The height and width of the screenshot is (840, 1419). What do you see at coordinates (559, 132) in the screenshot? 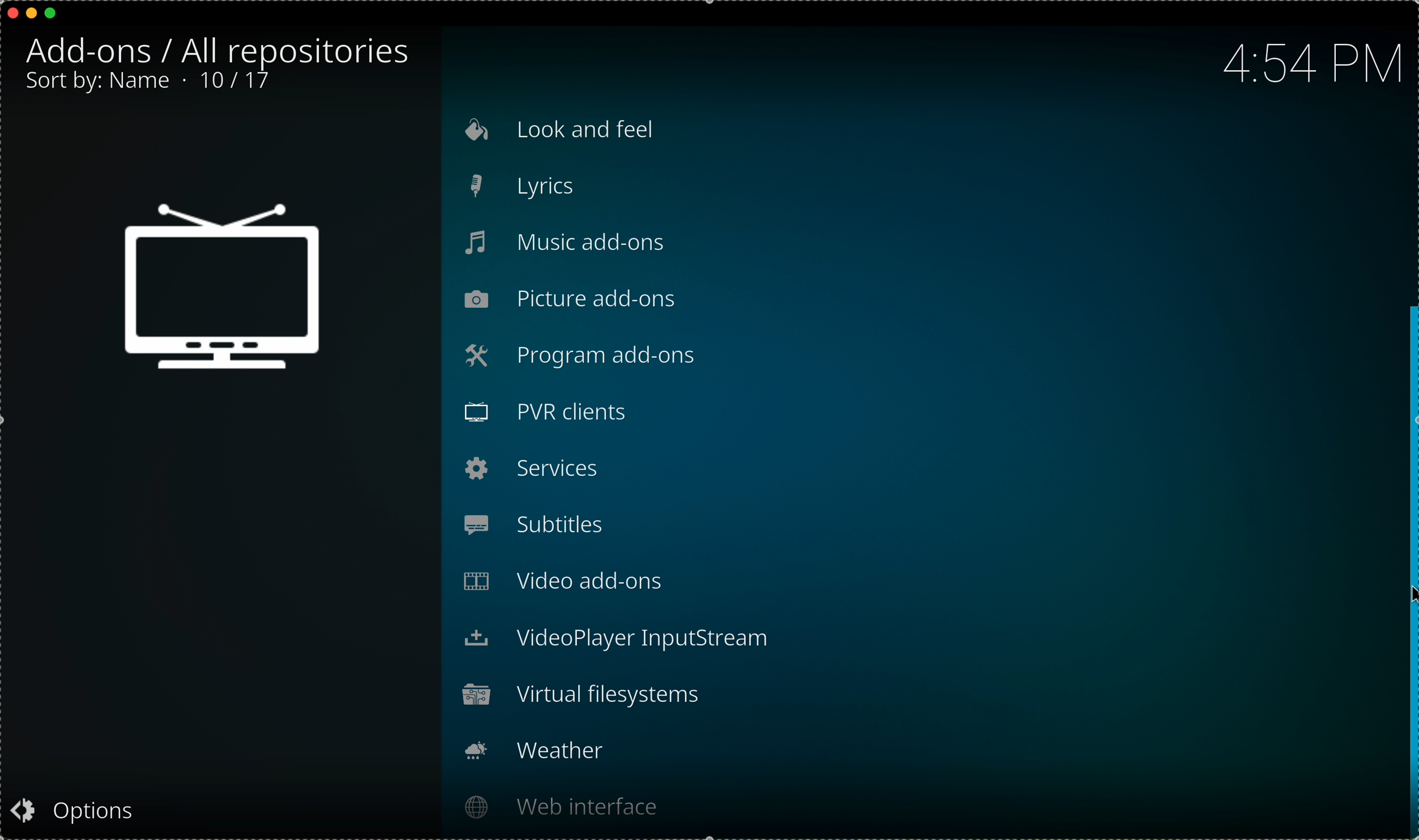
I see `look and feel` at bounding box center [559, 132].